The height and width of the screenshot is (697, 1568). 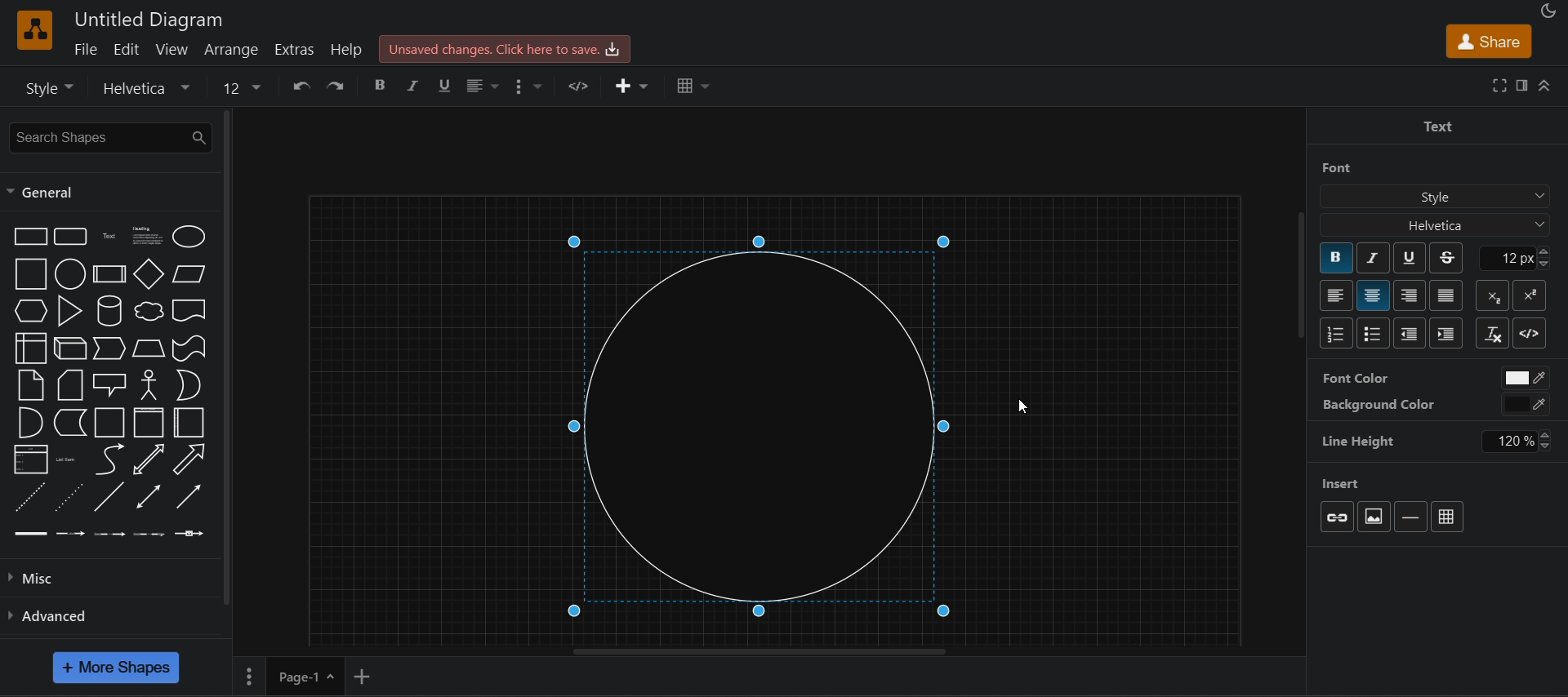 I want to click on white color, so click(x=1525, y=376).